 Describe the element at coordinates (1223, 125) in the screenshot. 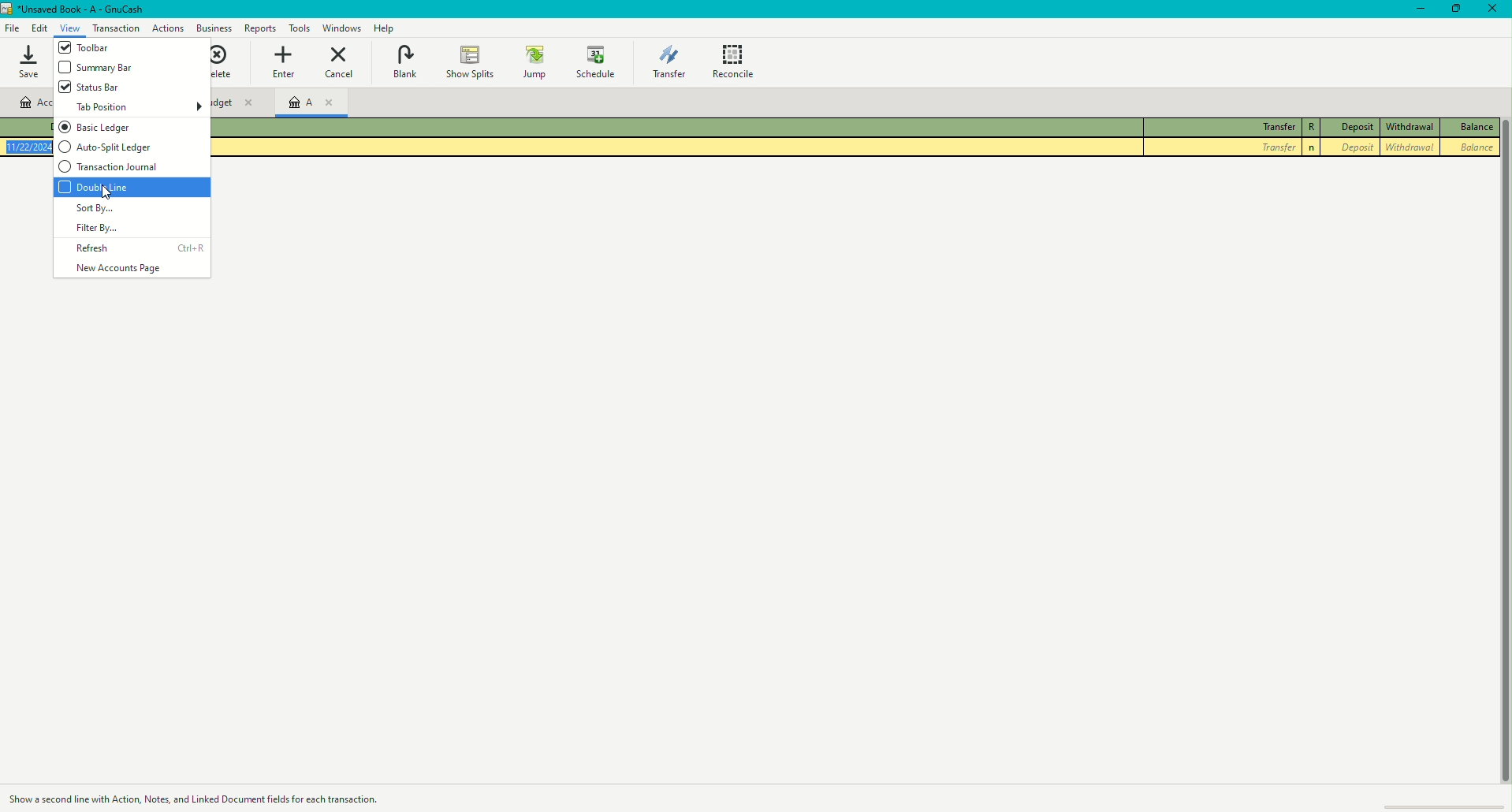

I see `Transfer` at that location.